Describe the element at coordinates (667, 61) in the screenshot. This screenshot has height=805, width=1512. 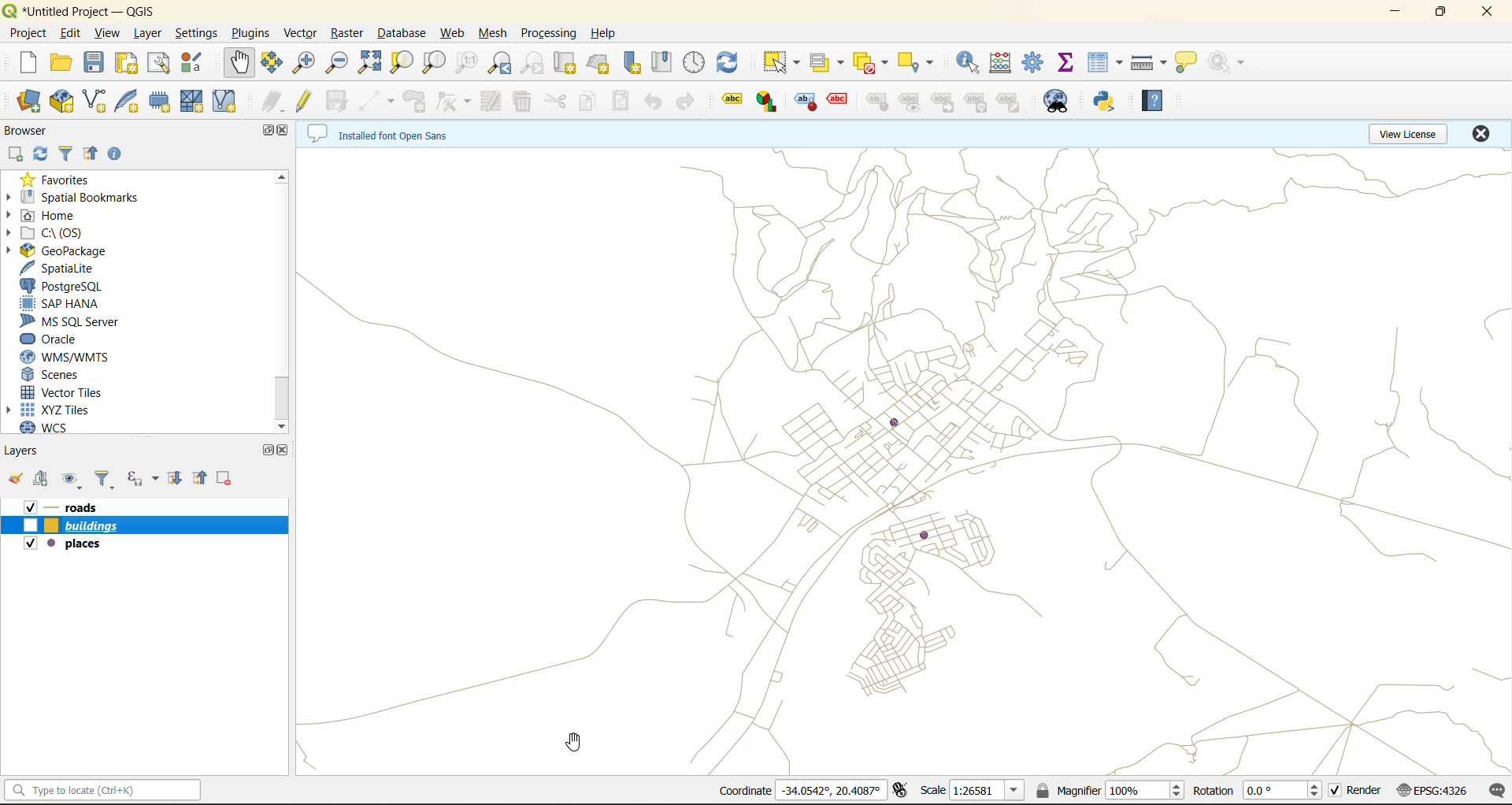
I see `show spatial bookmark` at that location.